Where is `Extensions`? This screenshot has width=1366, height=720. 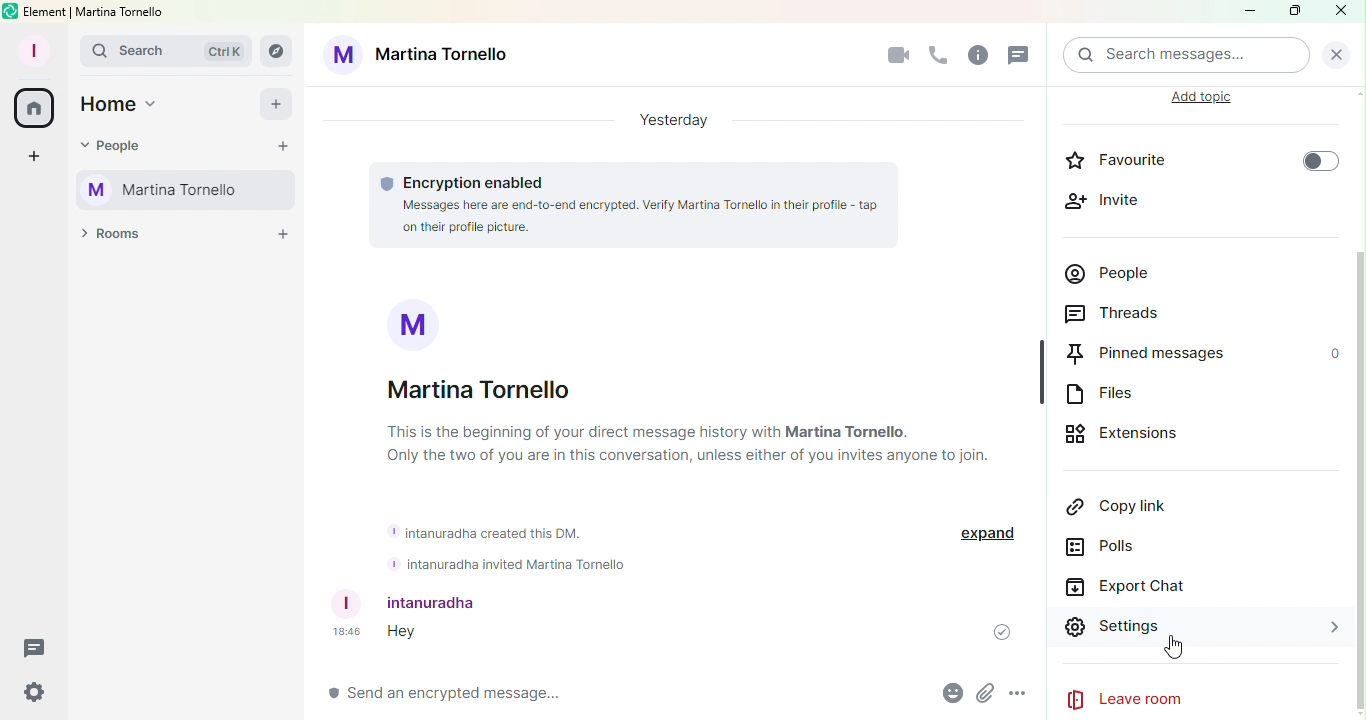 Extensions is located at coordinates (1180, 435).